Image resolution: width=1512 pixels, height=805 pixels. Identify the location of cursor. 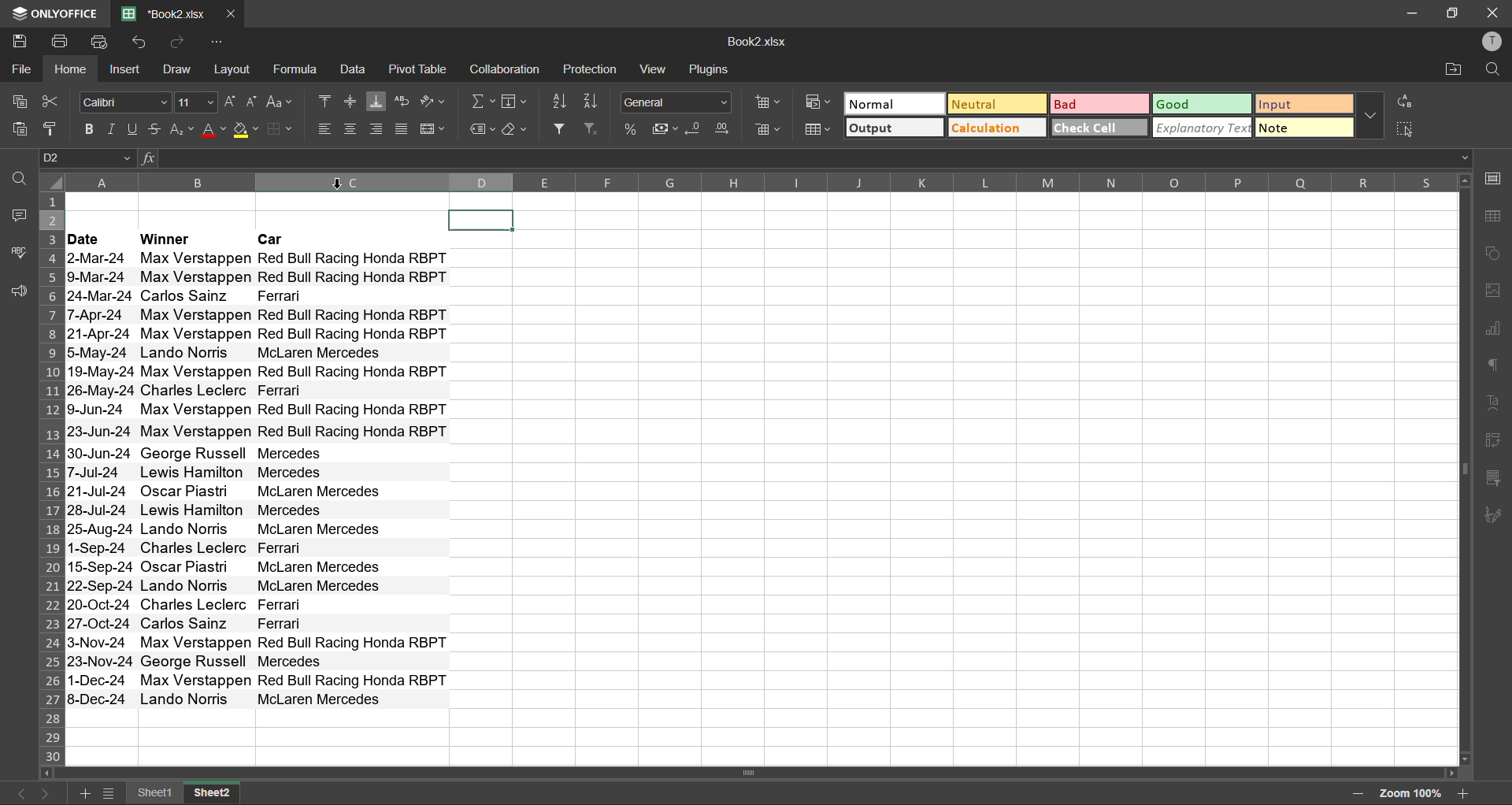
(342, 186).